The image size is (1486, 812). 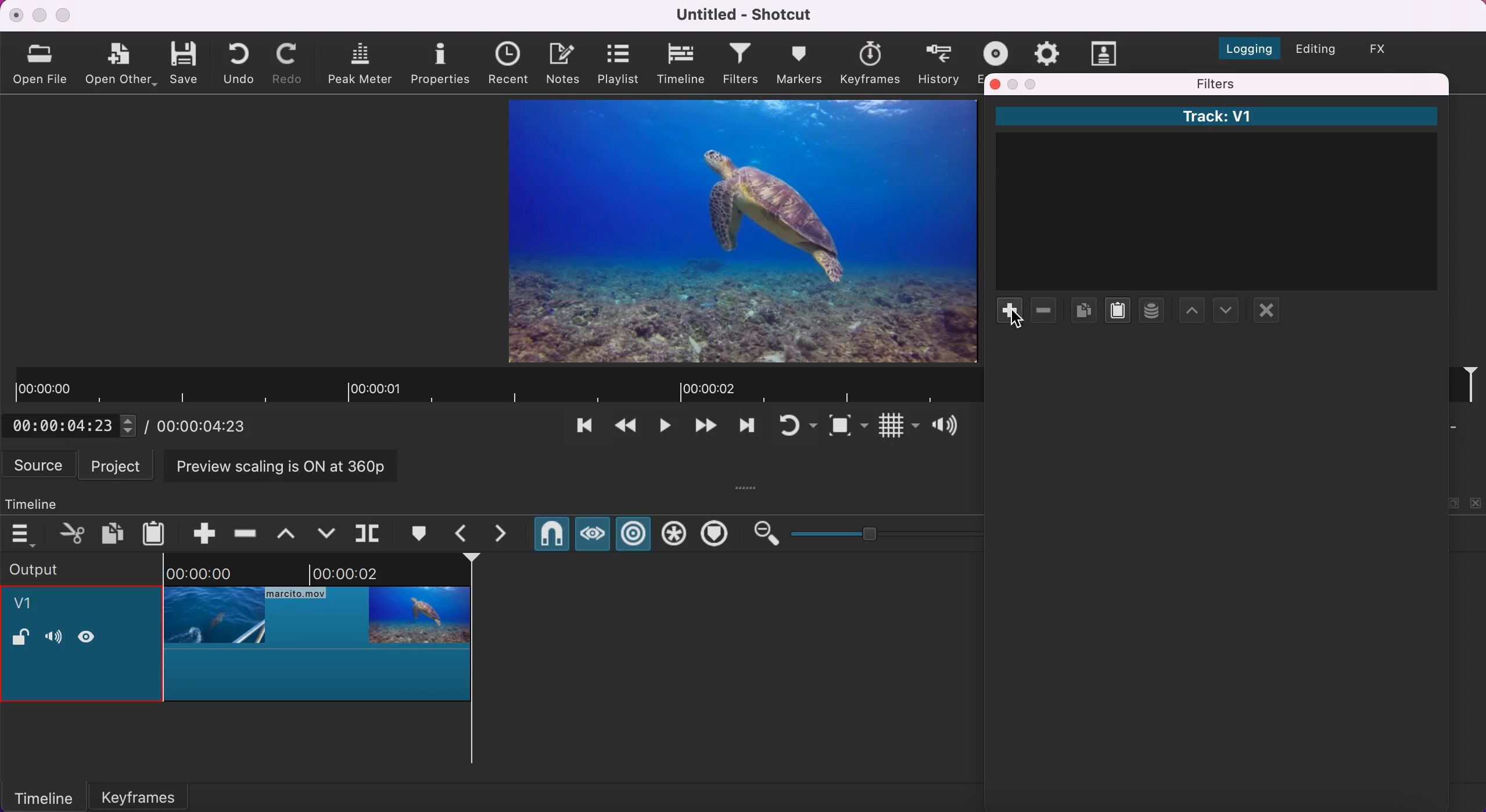 What do you see at coordinates (242, 62) in the screenshot?
I see `undo` at bounding box center [242, 62].